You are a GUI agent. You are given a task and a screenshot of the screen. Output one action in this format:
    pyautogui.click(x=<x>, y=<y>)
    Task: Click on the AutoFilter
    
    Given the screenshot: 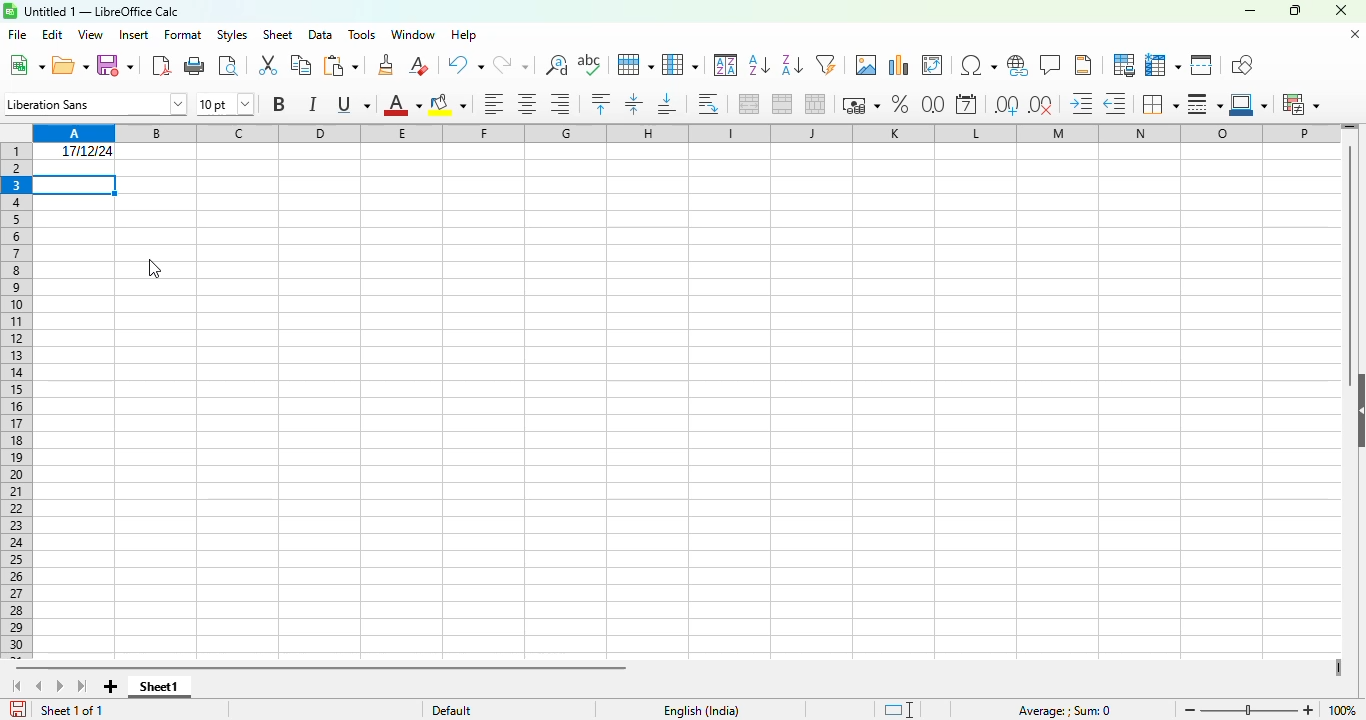 What is the action you would take?
    pyautogui.click(x=826, y=64)
    